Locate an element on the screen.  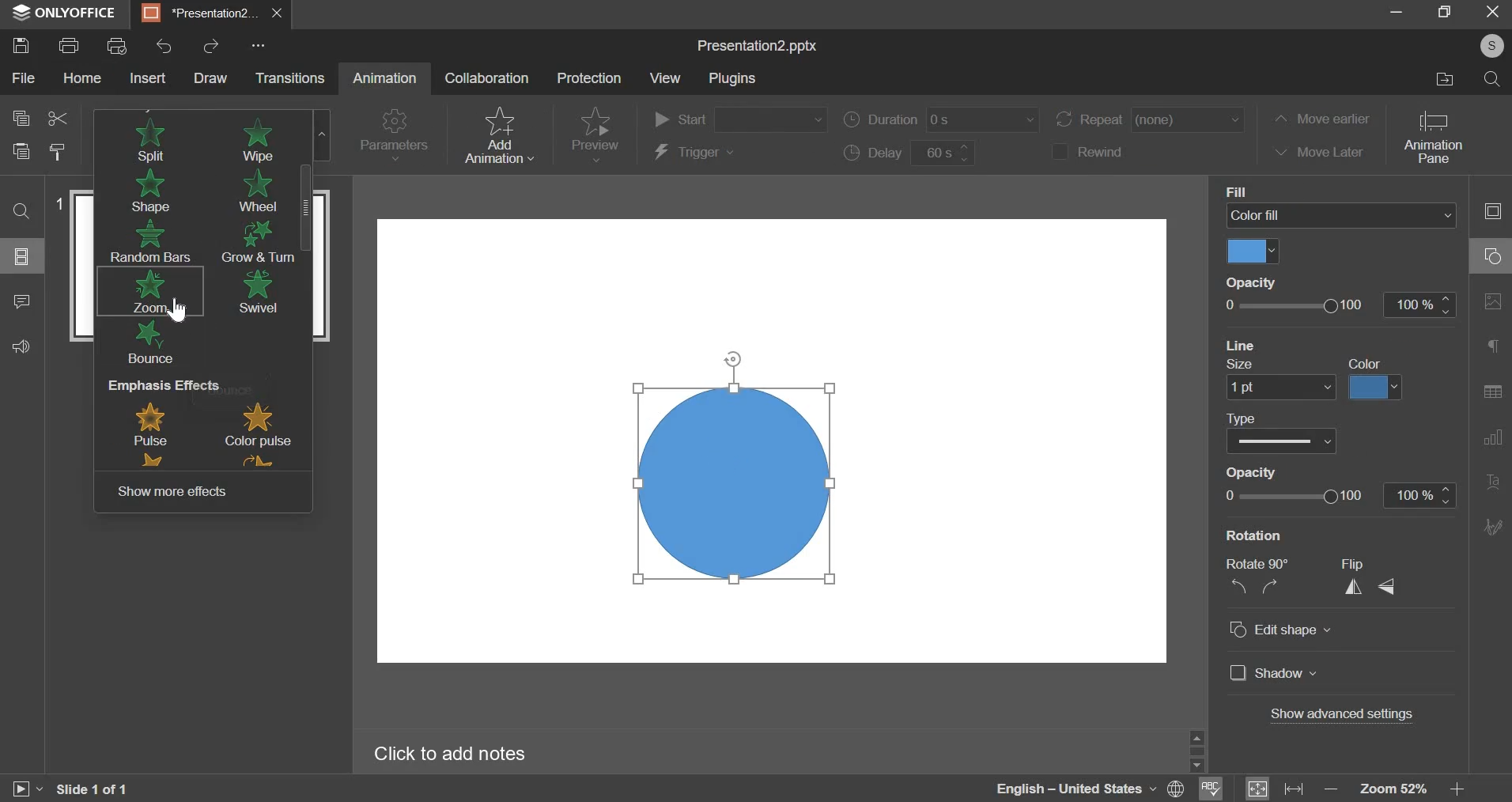
print is located at coordinates (70, 44).